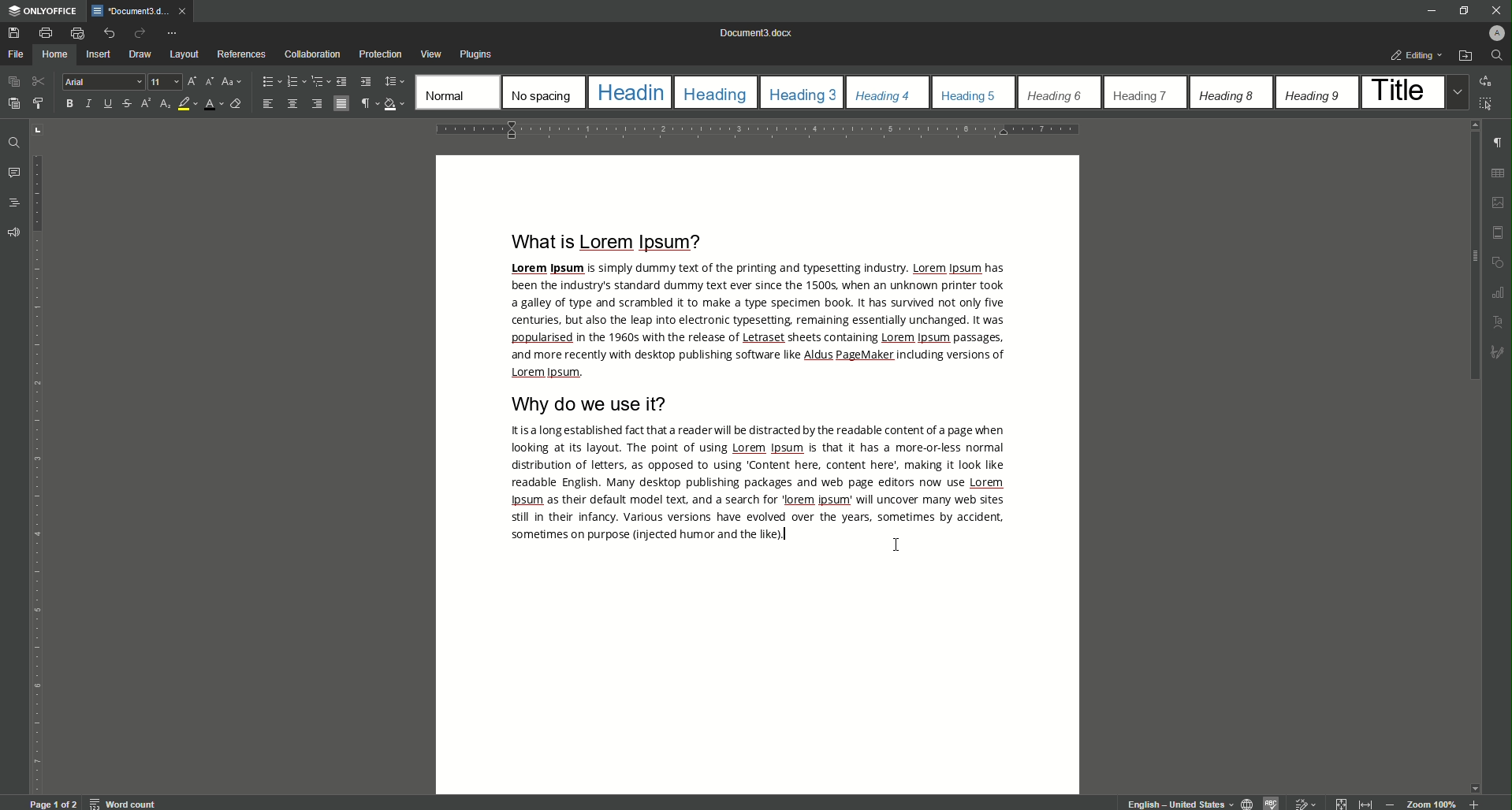  What do you see at coordinates (316, 105) in the screenshot?
I see `Align Right` at bounding box center [316, 105].